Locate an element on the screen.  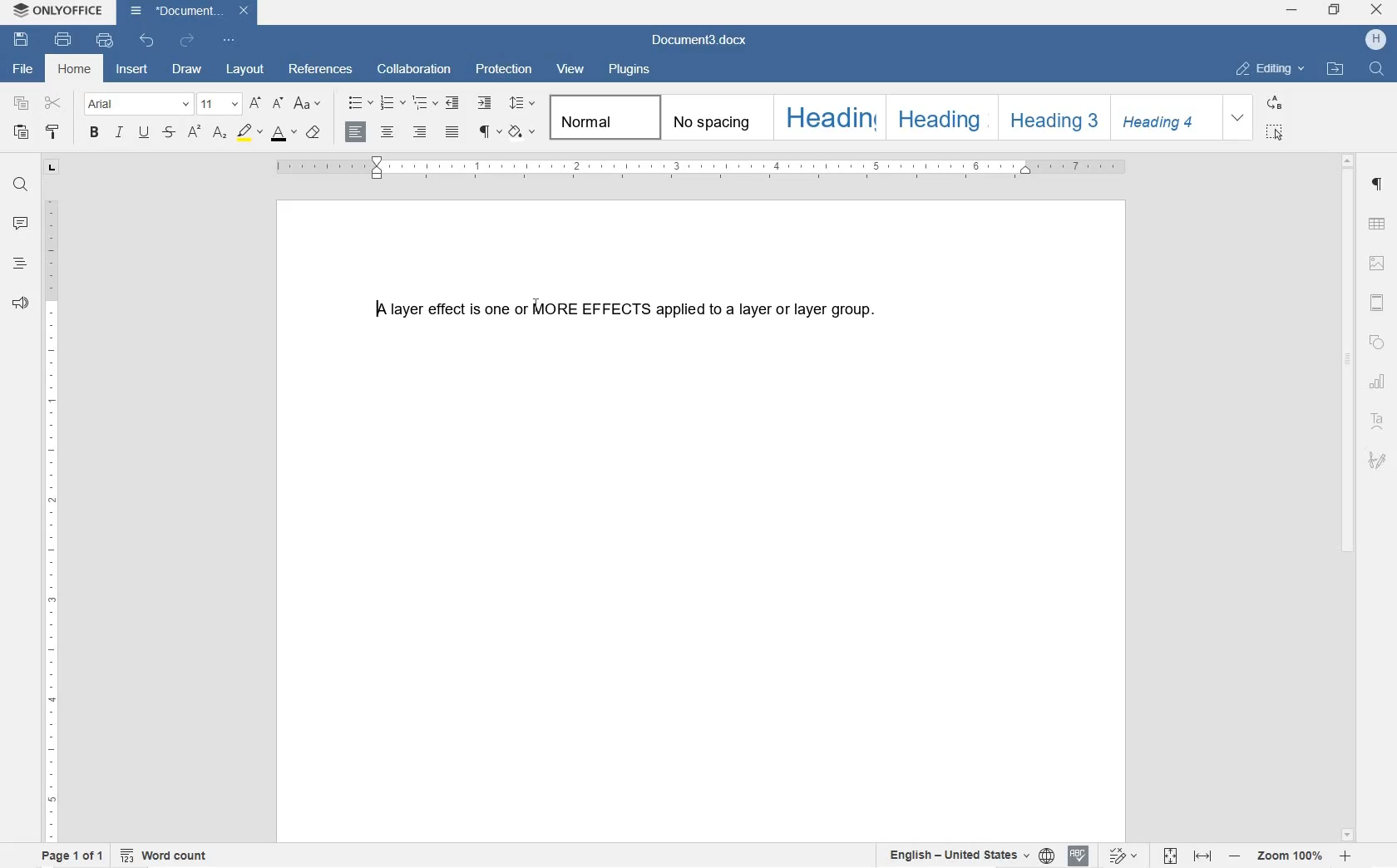
COPY STYLE is located at coordinates (54, 133).